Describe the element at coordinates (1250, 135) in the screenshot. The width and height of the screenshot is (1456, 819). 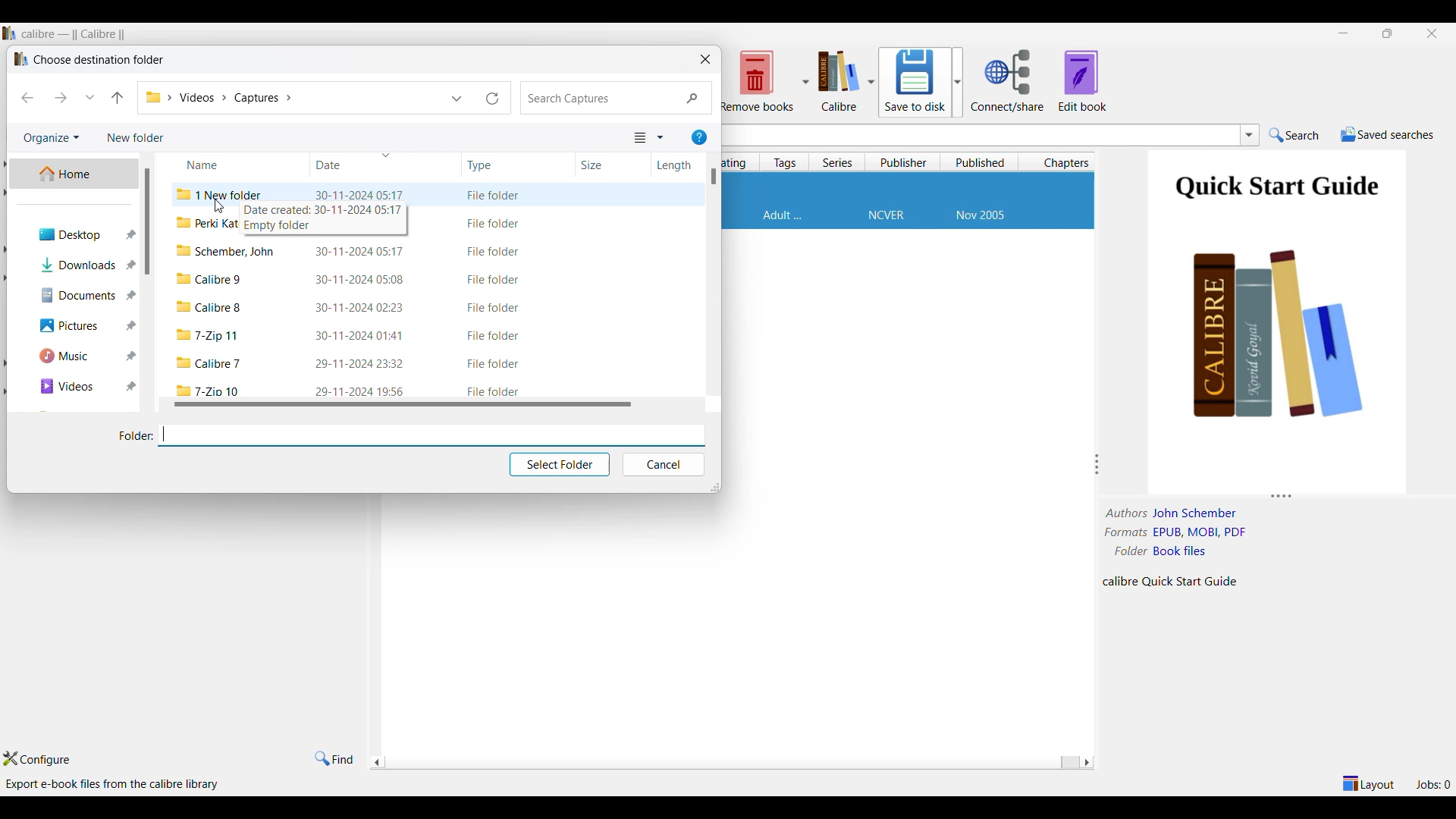
I see `List options` at that location.